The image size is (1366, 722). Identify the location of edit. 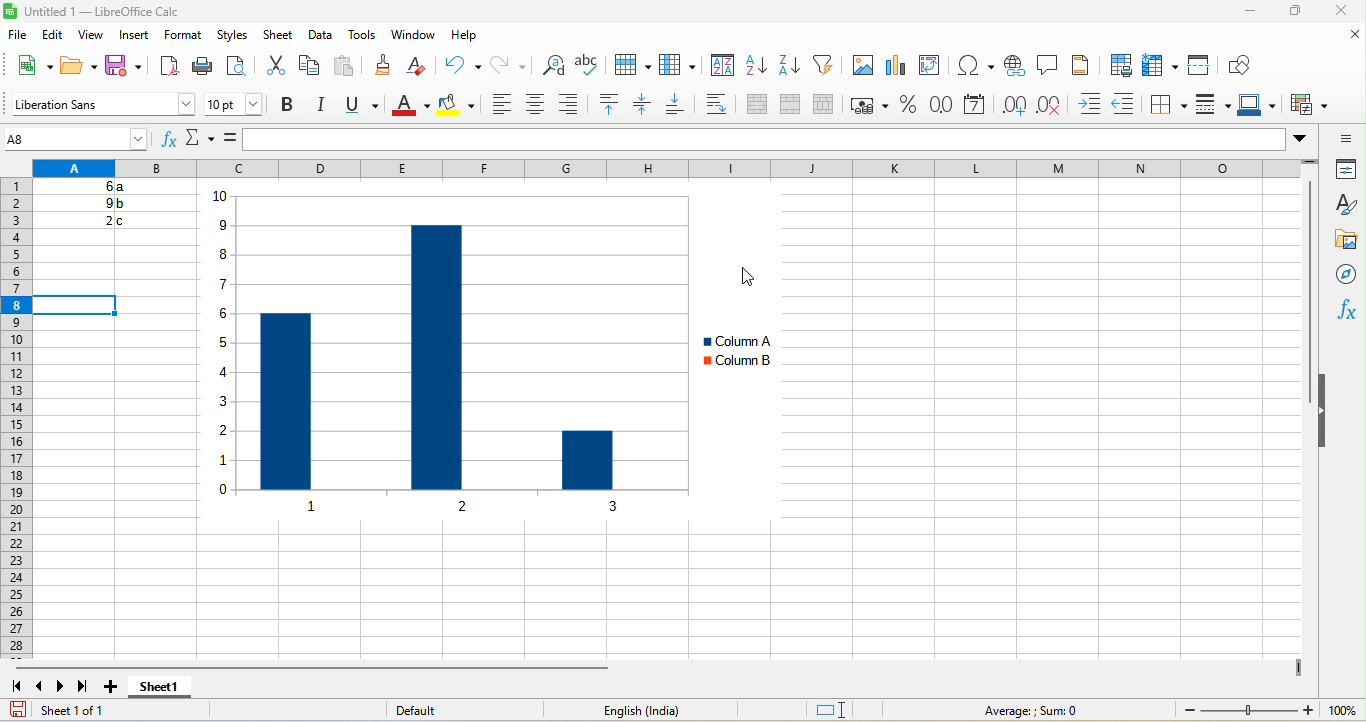
(56, 33).